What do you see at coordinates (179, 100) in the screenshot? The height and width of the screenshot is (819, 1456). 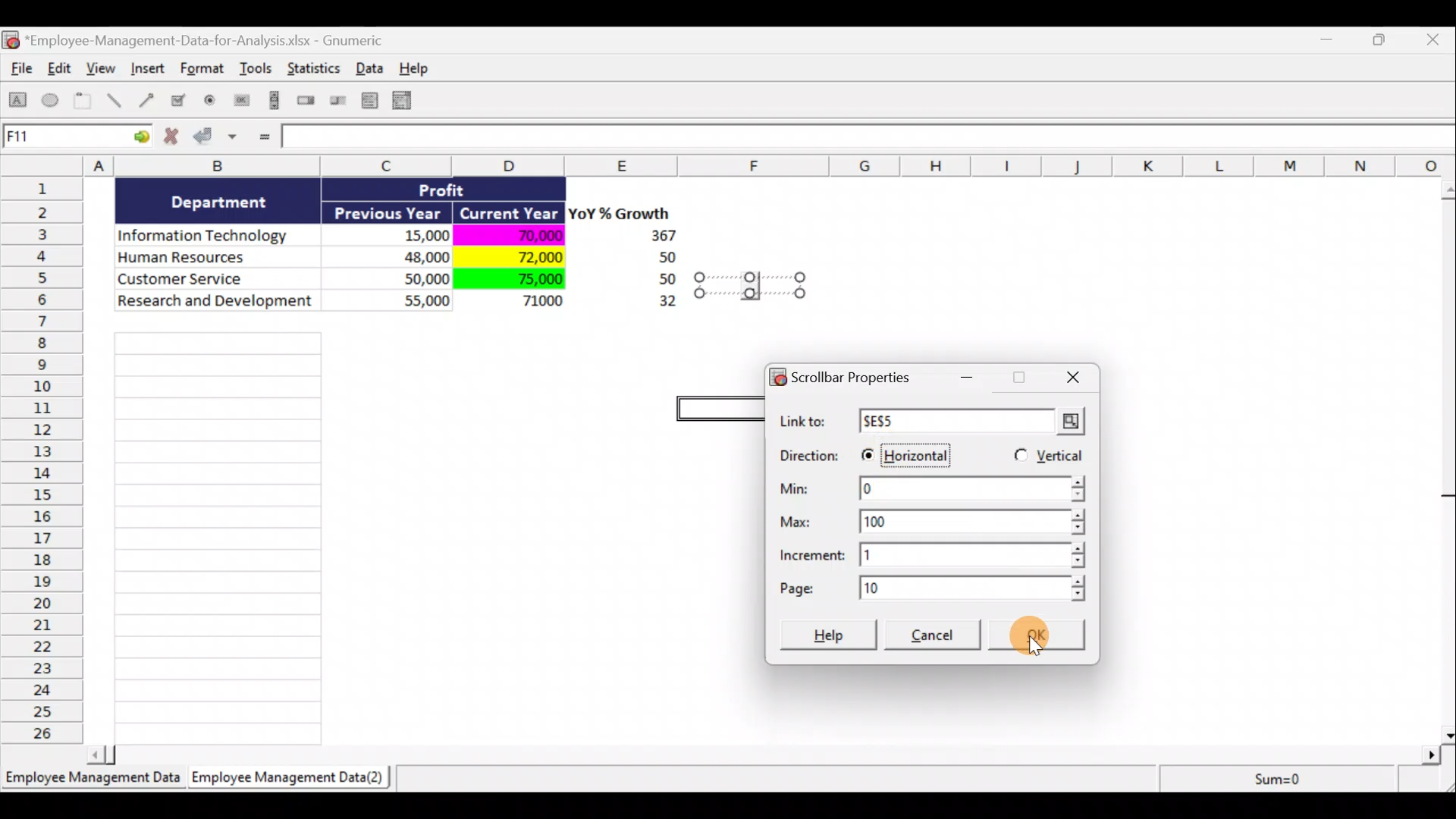 I see `Create a checkbox` at bounding box center [179, 100].